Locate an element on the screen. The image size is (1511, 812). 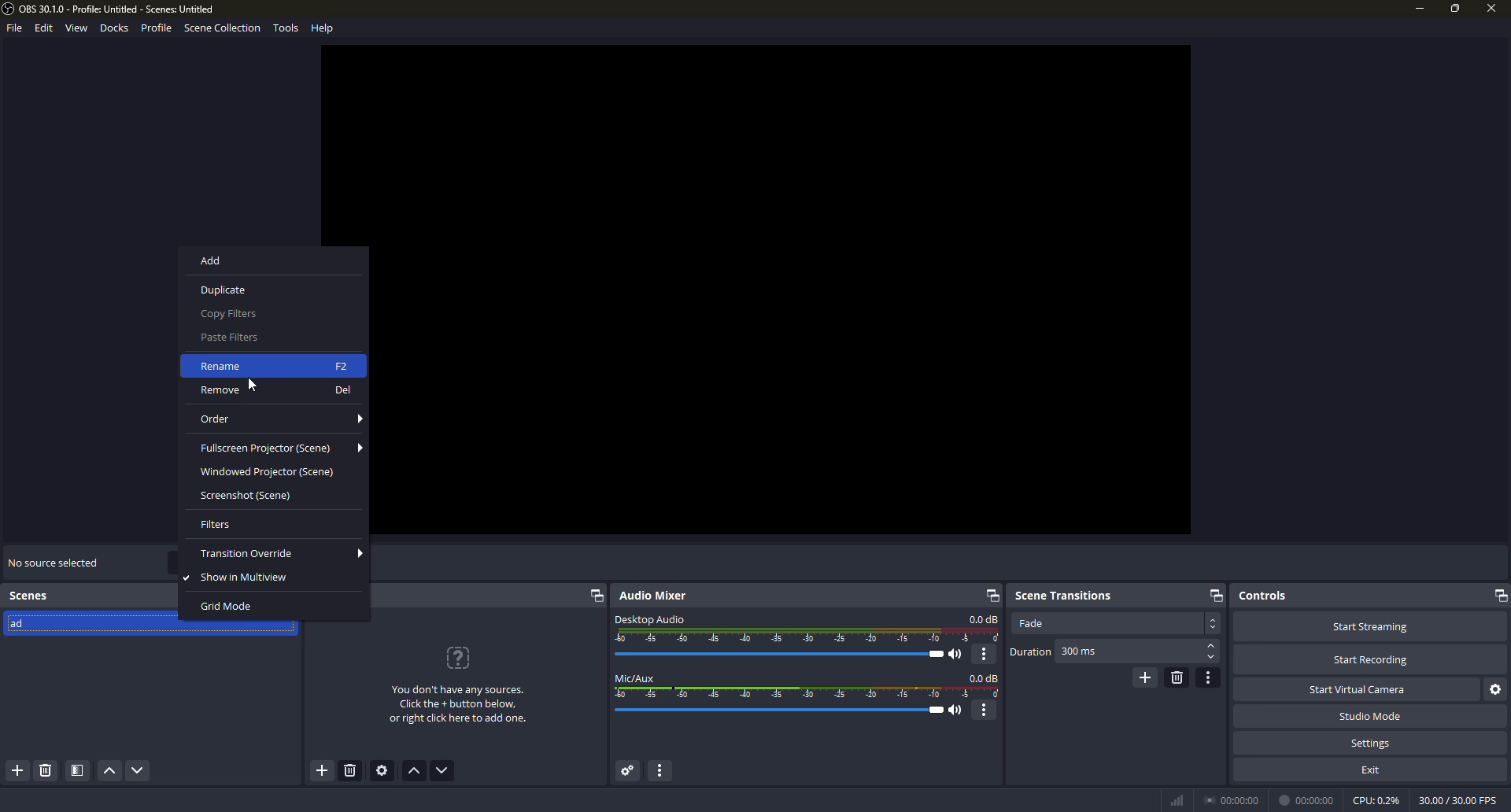
Filters is located at coordinates (272, 524).